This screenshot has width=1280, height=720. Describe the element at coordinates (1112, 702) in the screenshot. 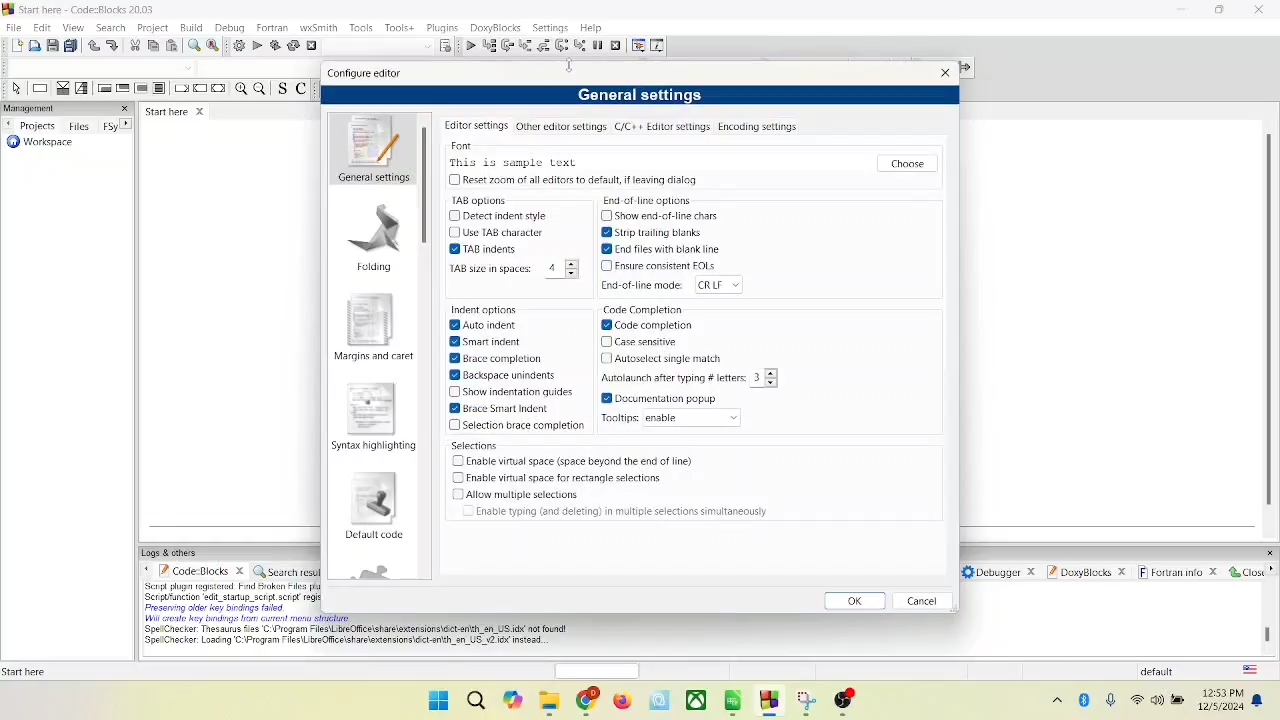

I see `microphone` at that location.